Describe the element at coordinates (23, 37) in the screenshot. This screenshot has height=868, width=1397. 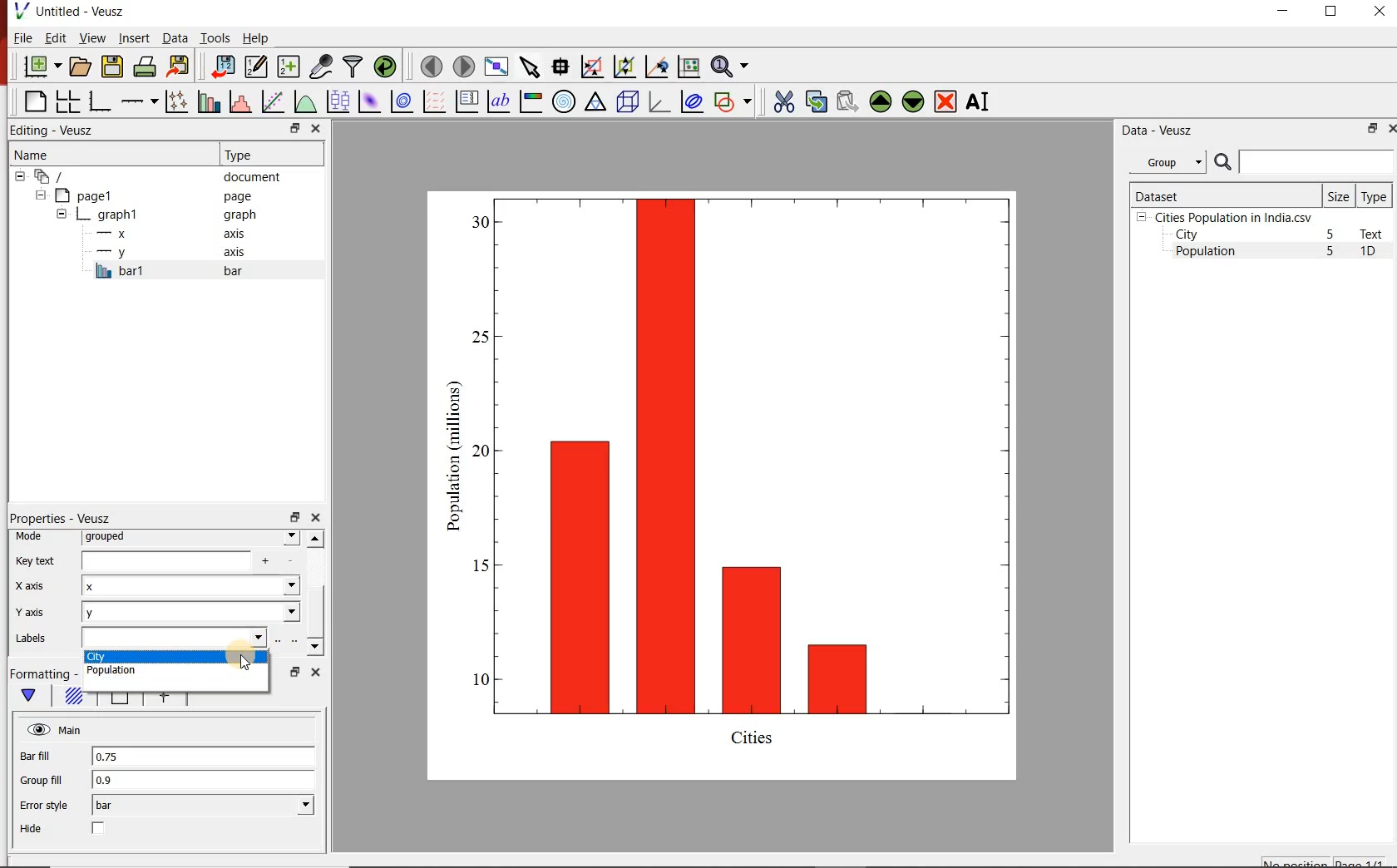
I see `File` at that location.